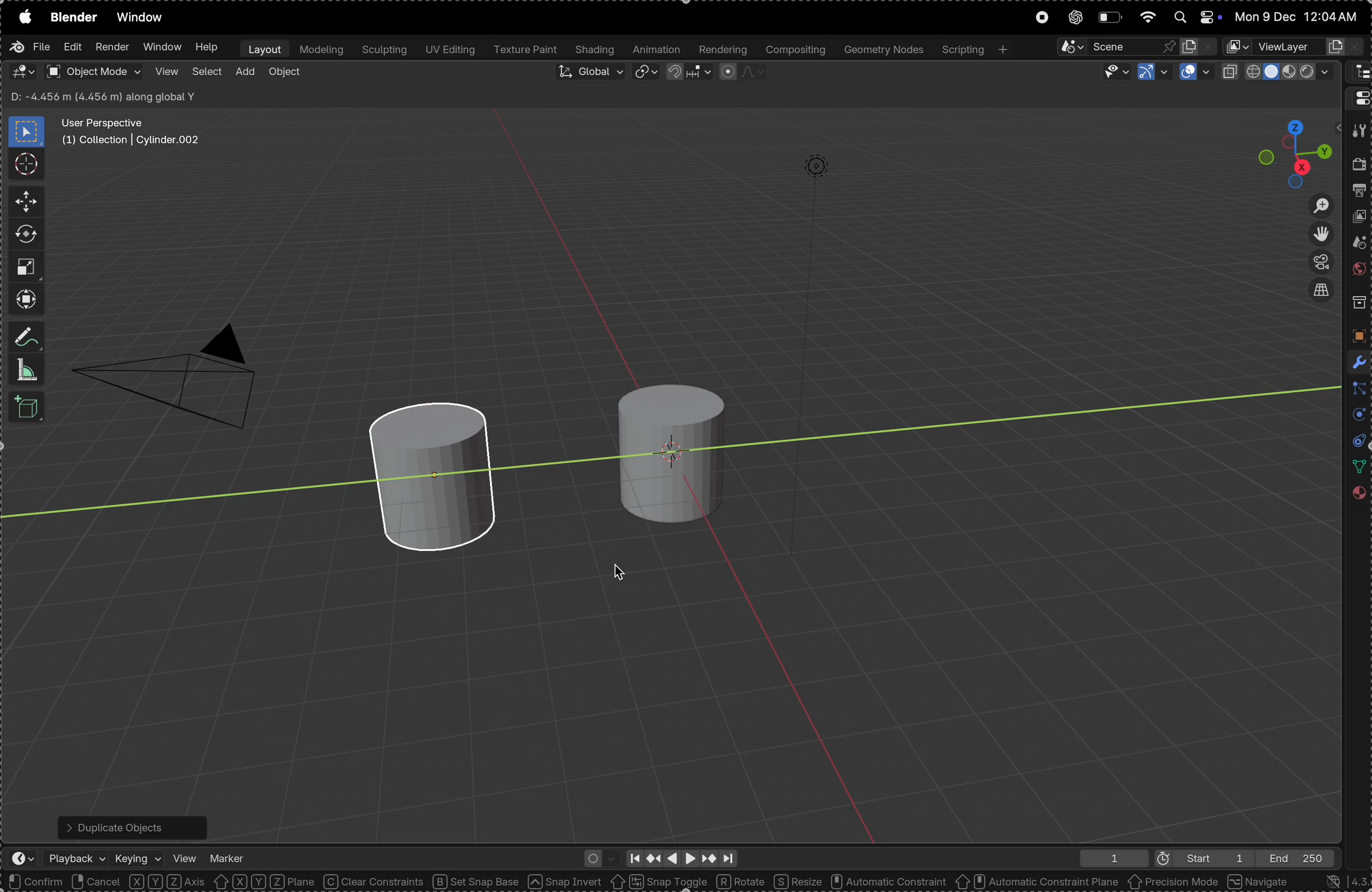  Describe the element at coordinates (687, 74) in the screenshot. I see `snap` at that location.